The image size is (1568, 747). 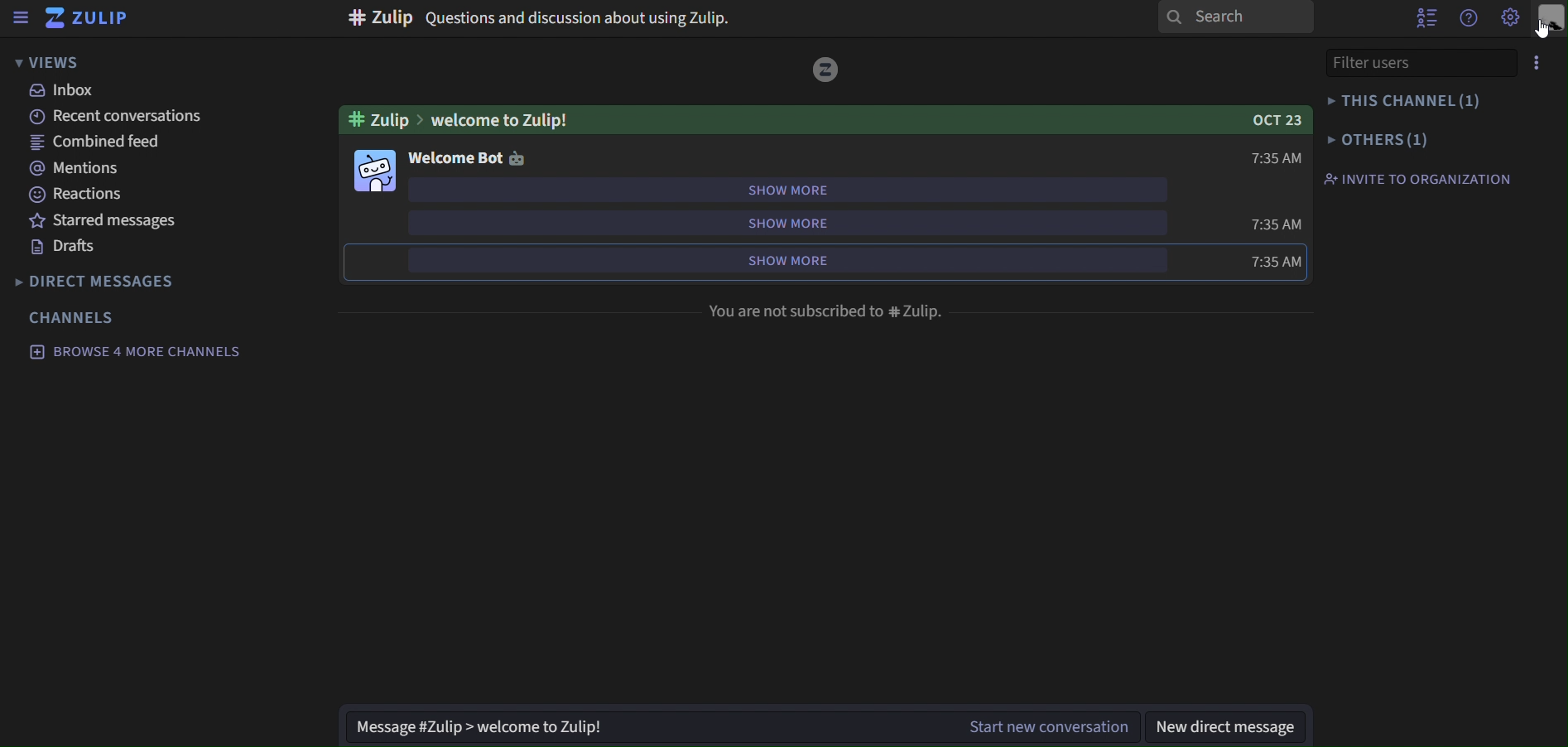 I want to click on sidebar, so click(x=22, y=17).